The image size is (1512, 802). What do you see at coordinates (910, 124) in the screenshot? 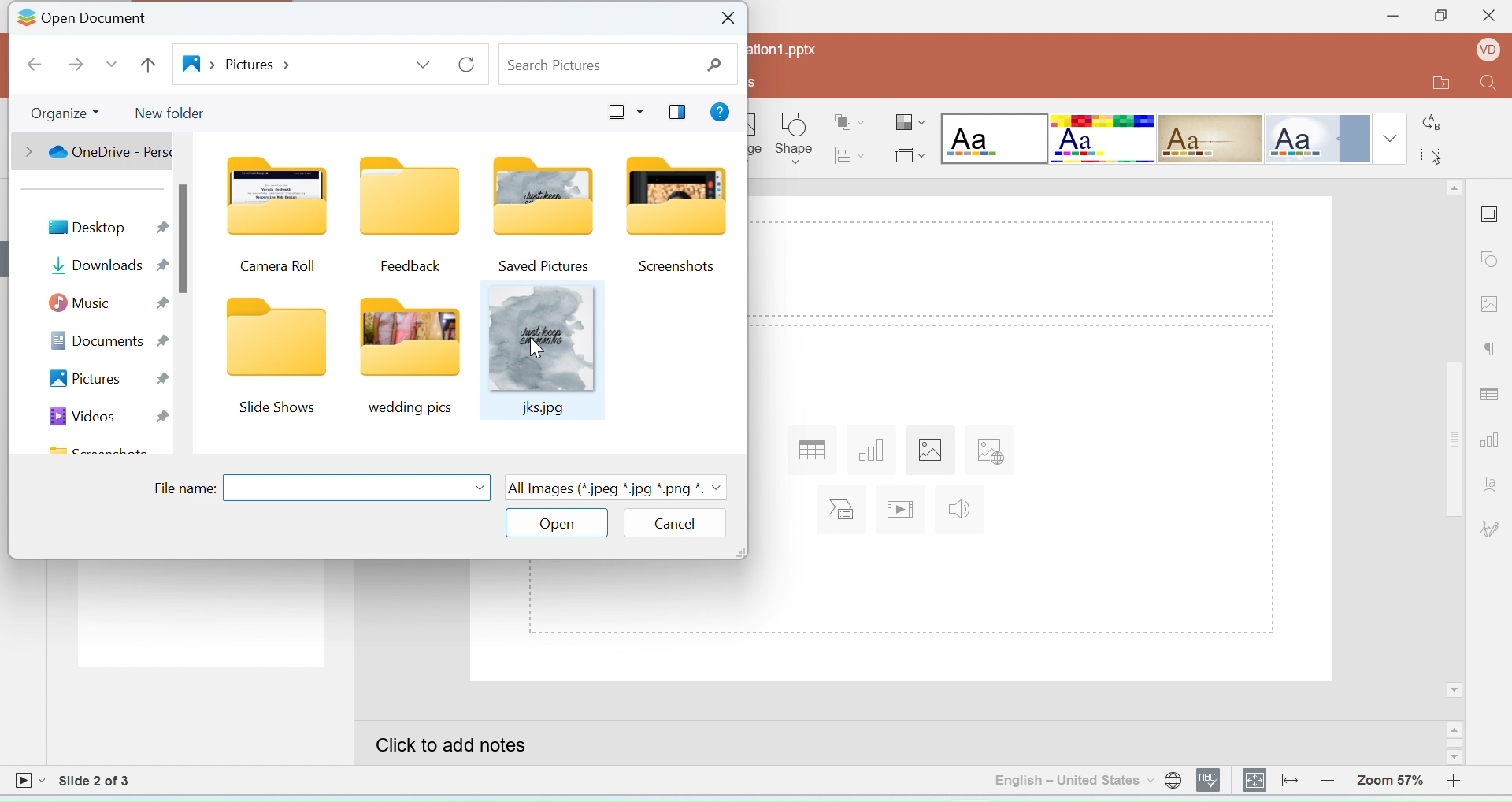
I see `Change color theme` at bounding box center [910, 124].